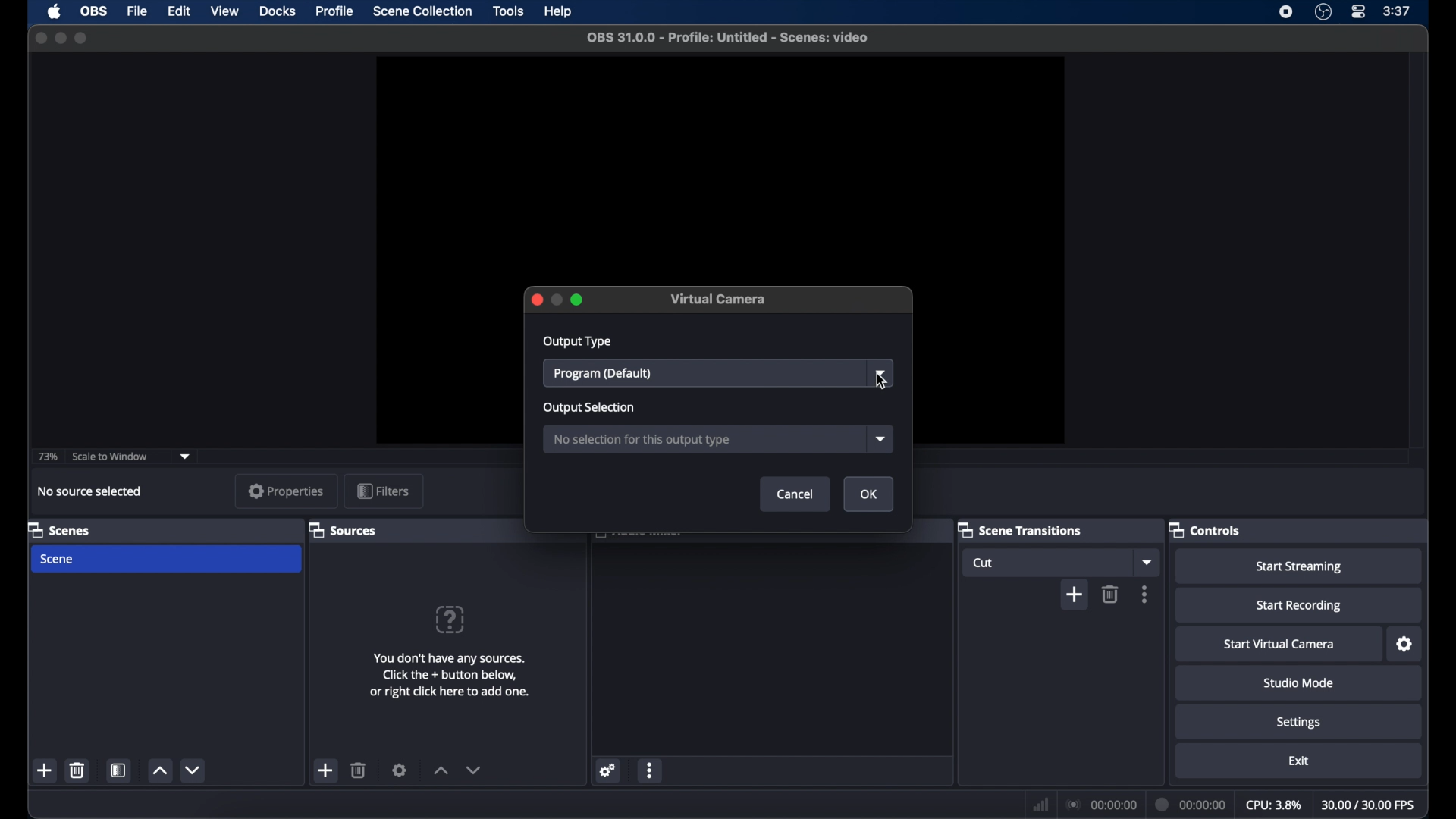 The width and height of the screenshot is (1456, 819). What do you see at coordinates (1110, 594) in the screenshot?
I see `delete` at bounding box center [1110, 594].